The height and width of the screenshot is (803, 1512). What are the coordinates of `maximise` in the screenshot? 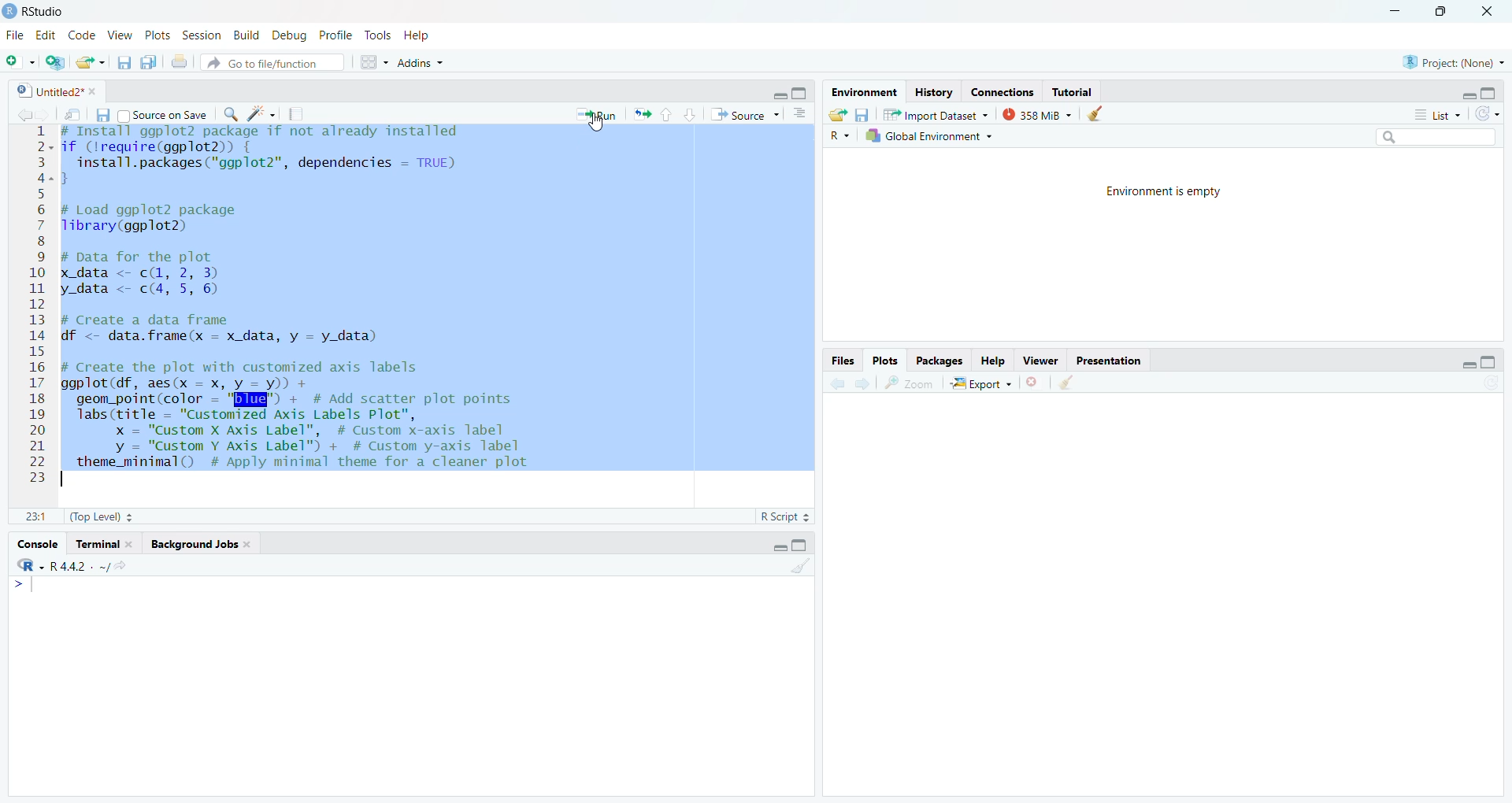 It's located at (1495, 91).